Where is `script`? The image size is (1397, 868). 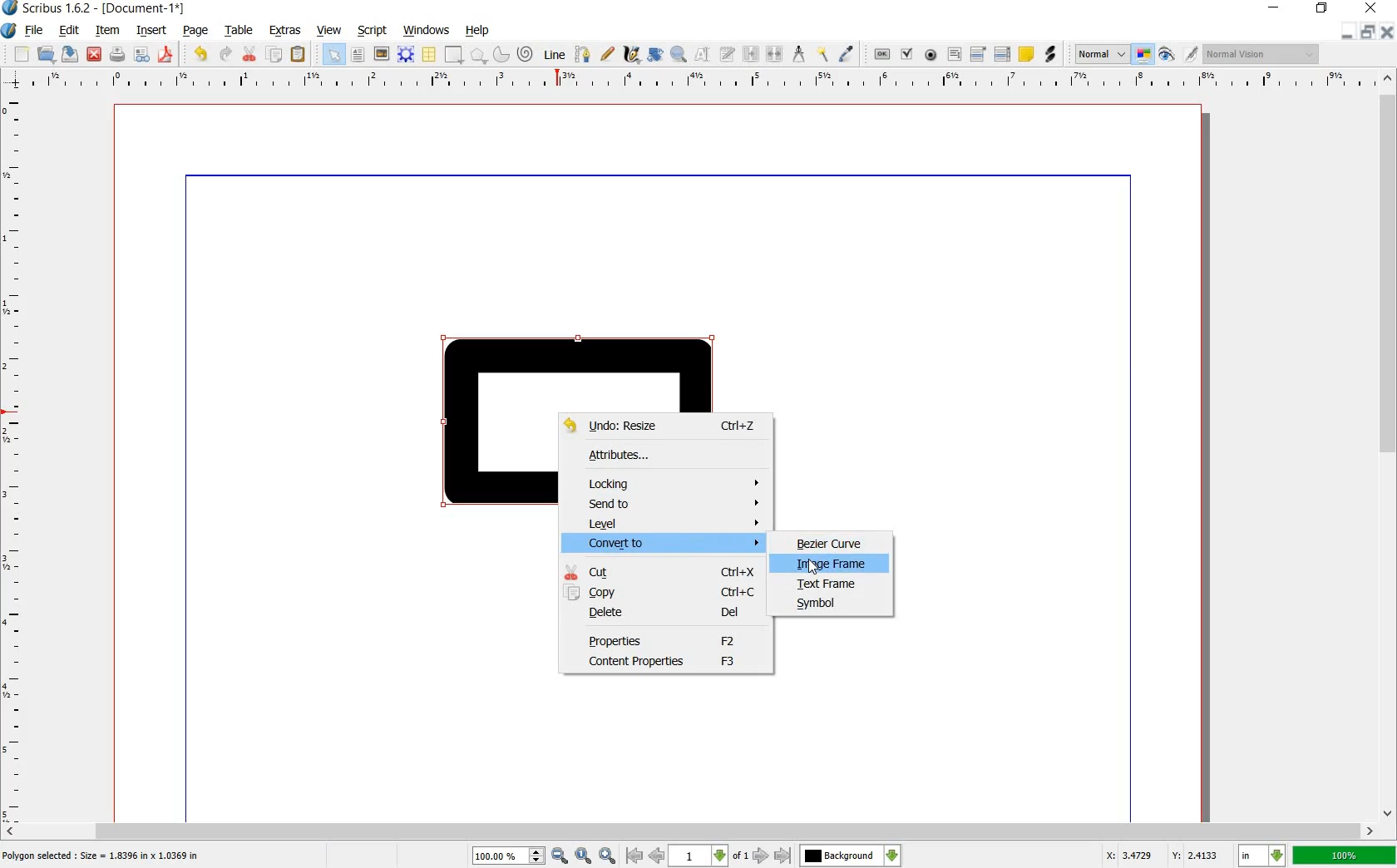 script is located at coordinates (371, 29).